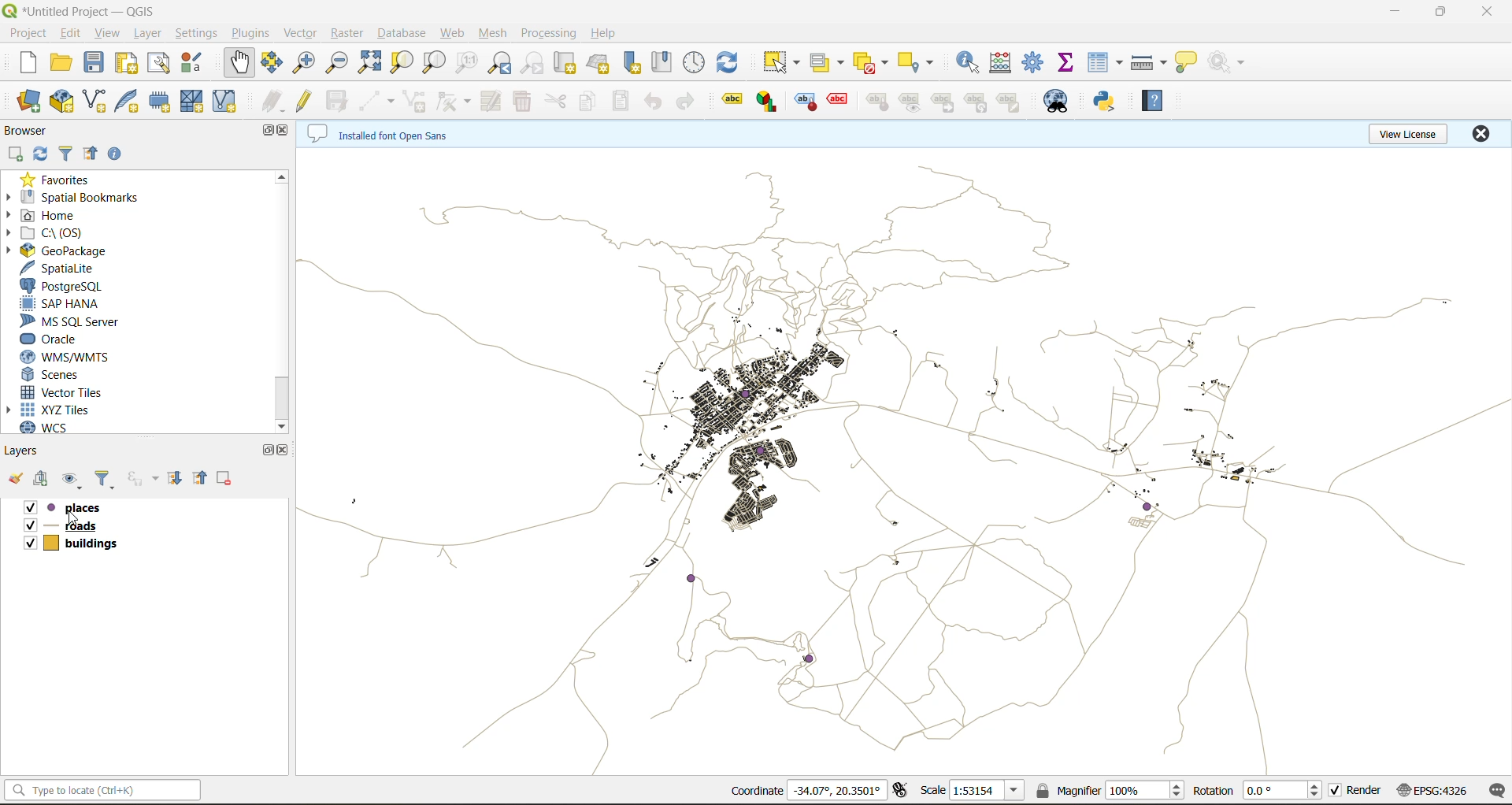 This screenshot has width=1512, height=805. What do you see at coordinates (27, 451) in the screenshot?
I see `layers` at bounding box center [27, 451].